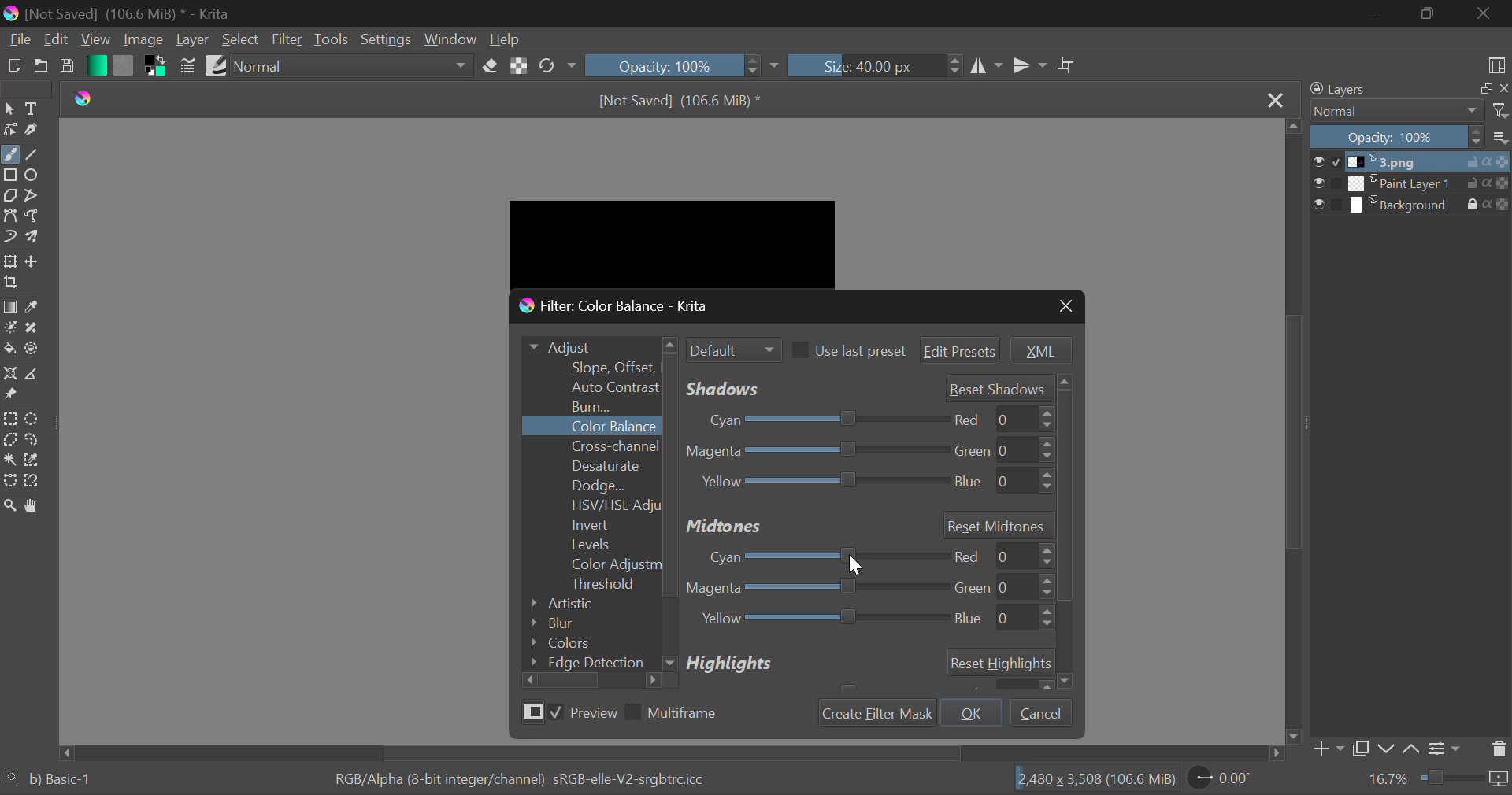  I want to click on Rectangle, so click(13, 176).